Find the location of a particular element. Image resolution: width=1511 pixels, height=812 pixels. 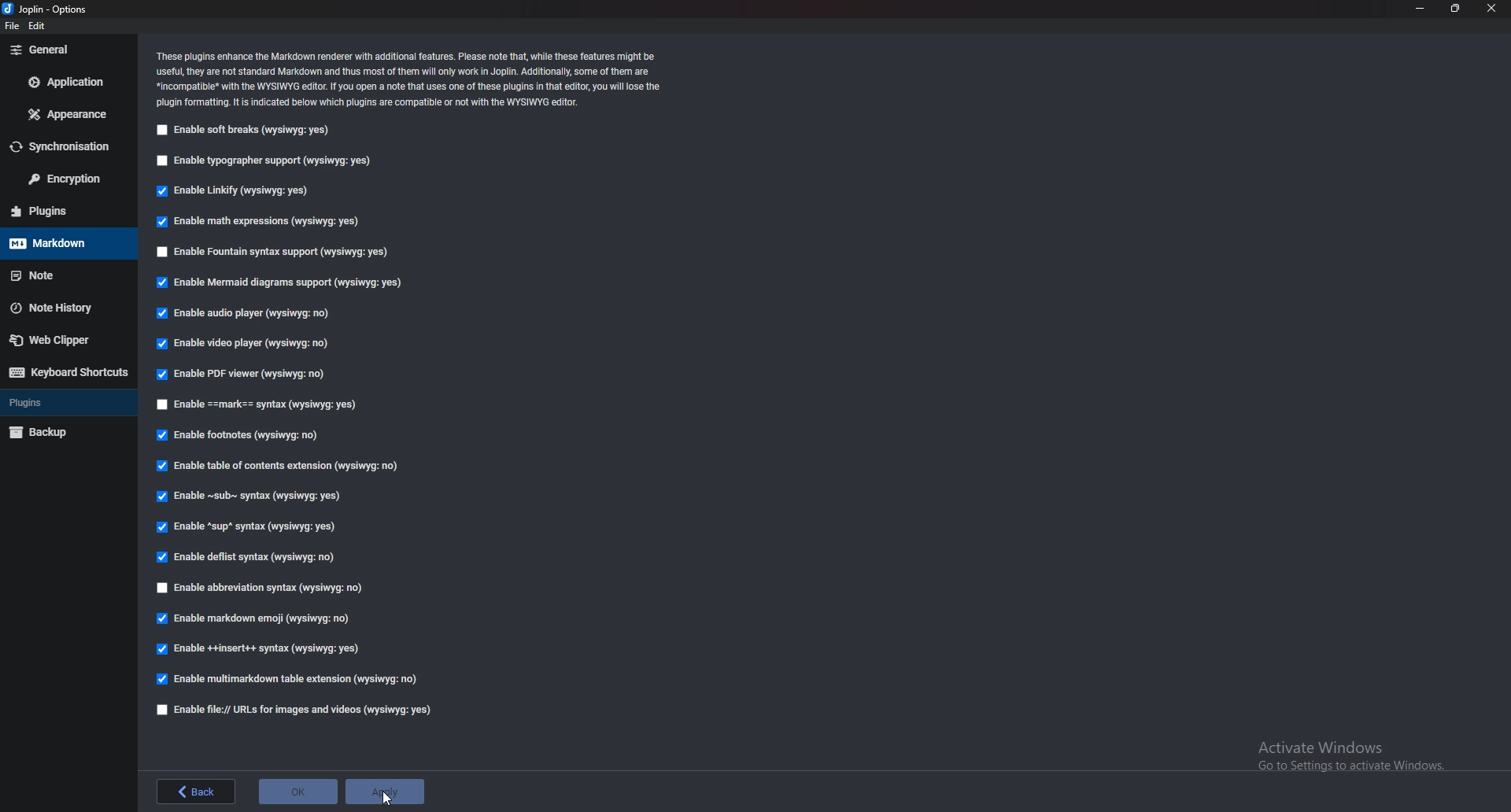

Resize is located at coordinates (1454, 9).